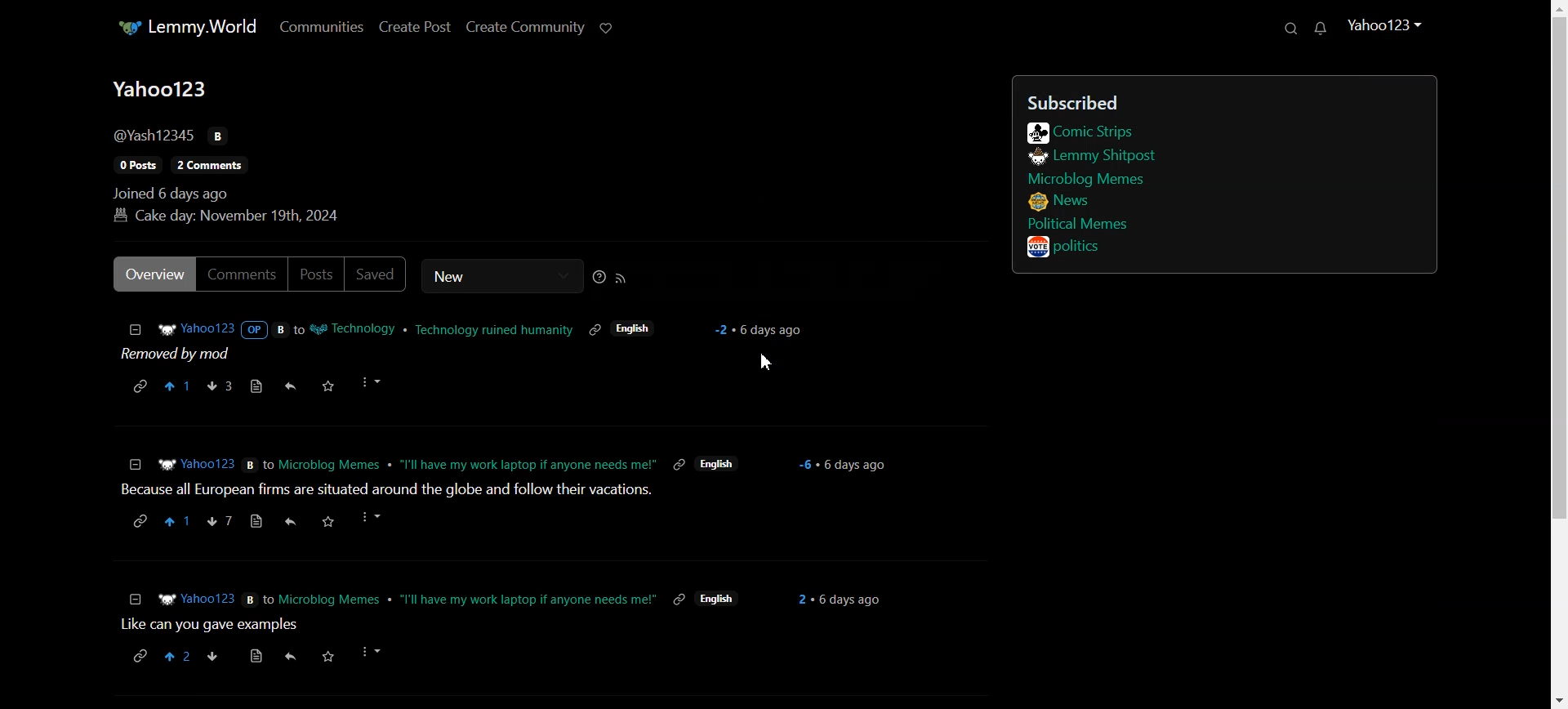  Describe the element at coordinates (529, 596) in the screenshot. I see `"I'll have my work laptop if anyone needs me!"` at that location.